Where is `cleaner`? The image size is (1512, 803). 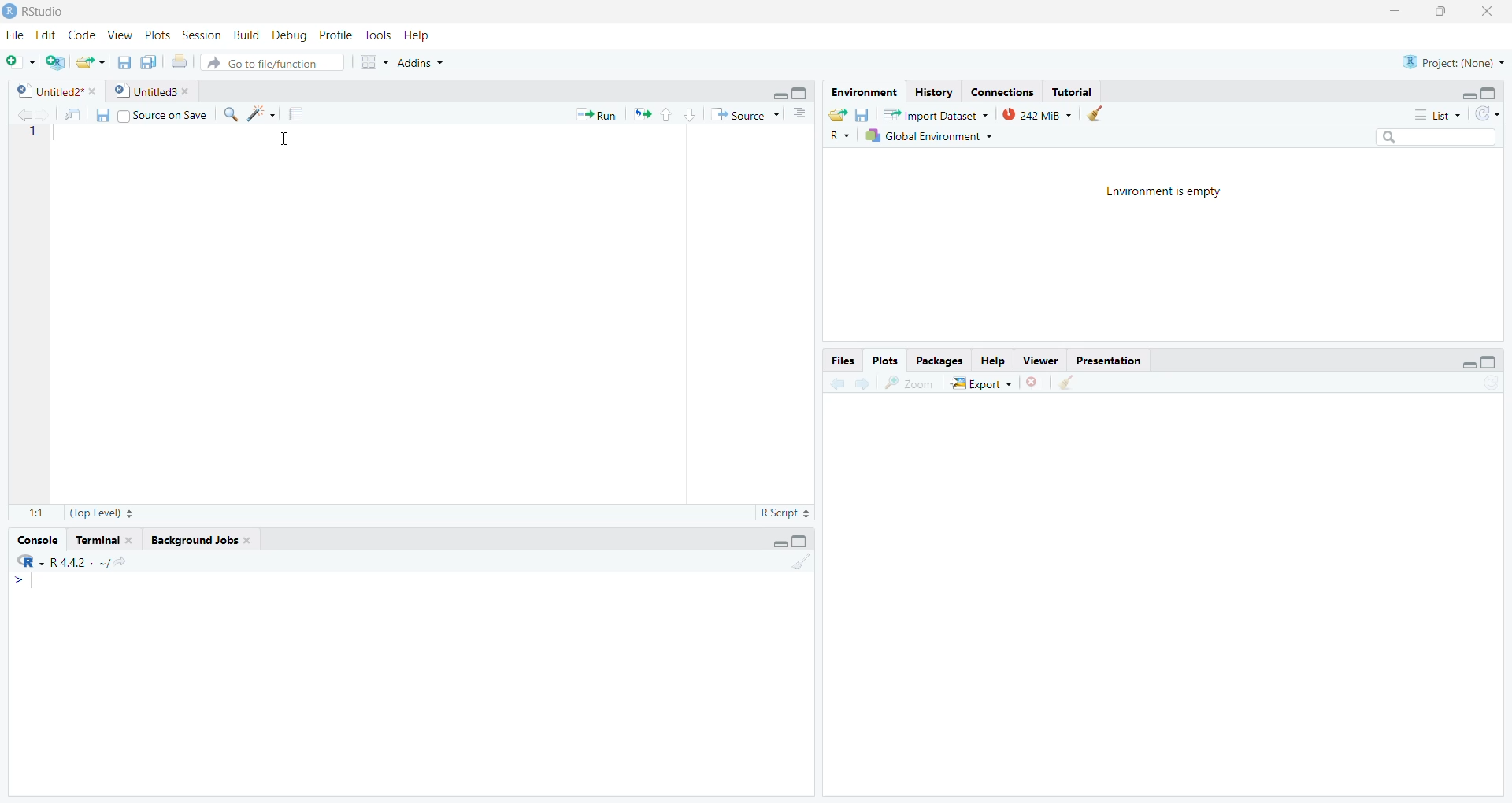 cleaner is located at coordinates (1066, 383).